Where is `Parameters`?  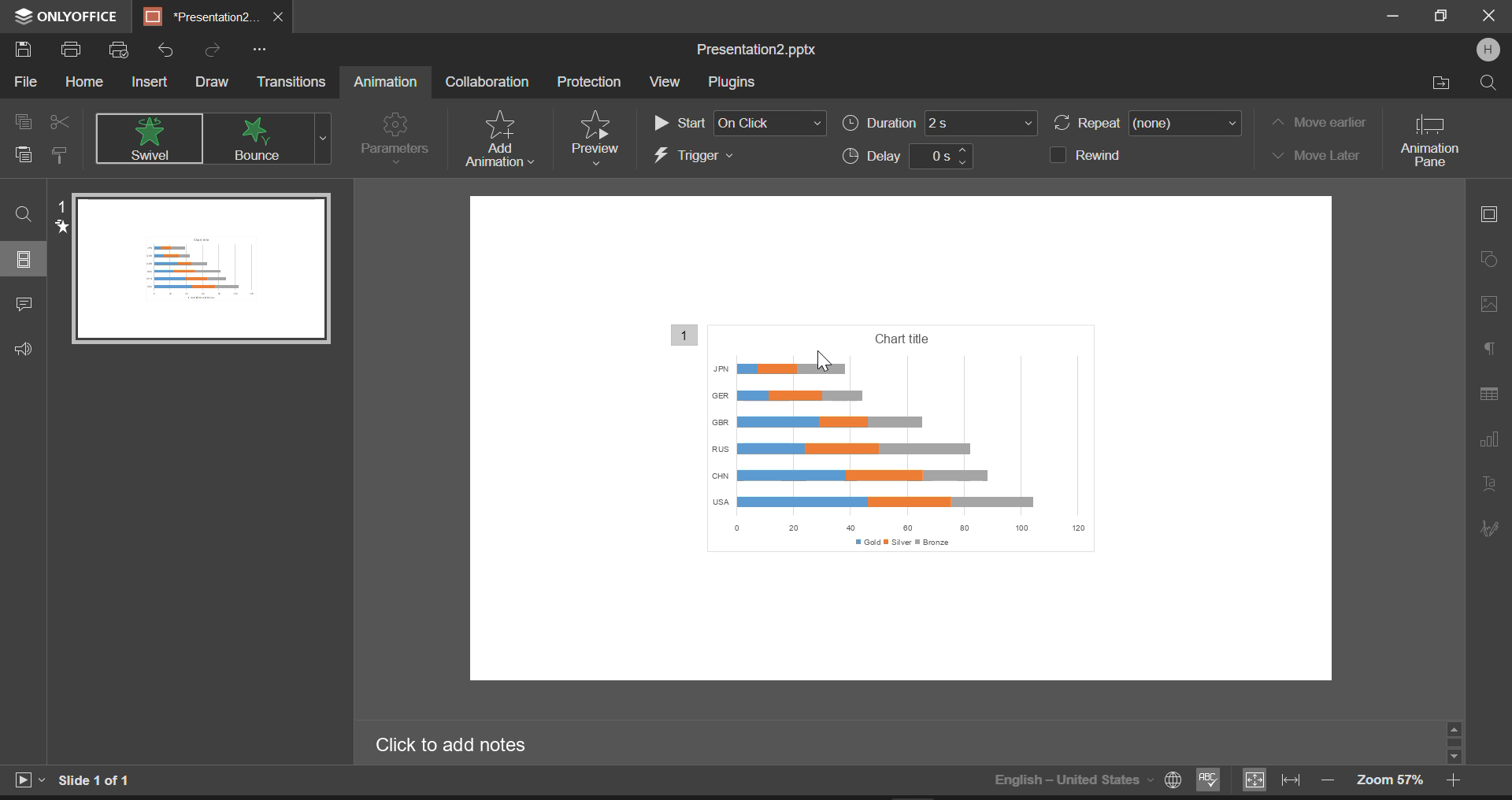 Parameters is located at coordinates (394, 137).